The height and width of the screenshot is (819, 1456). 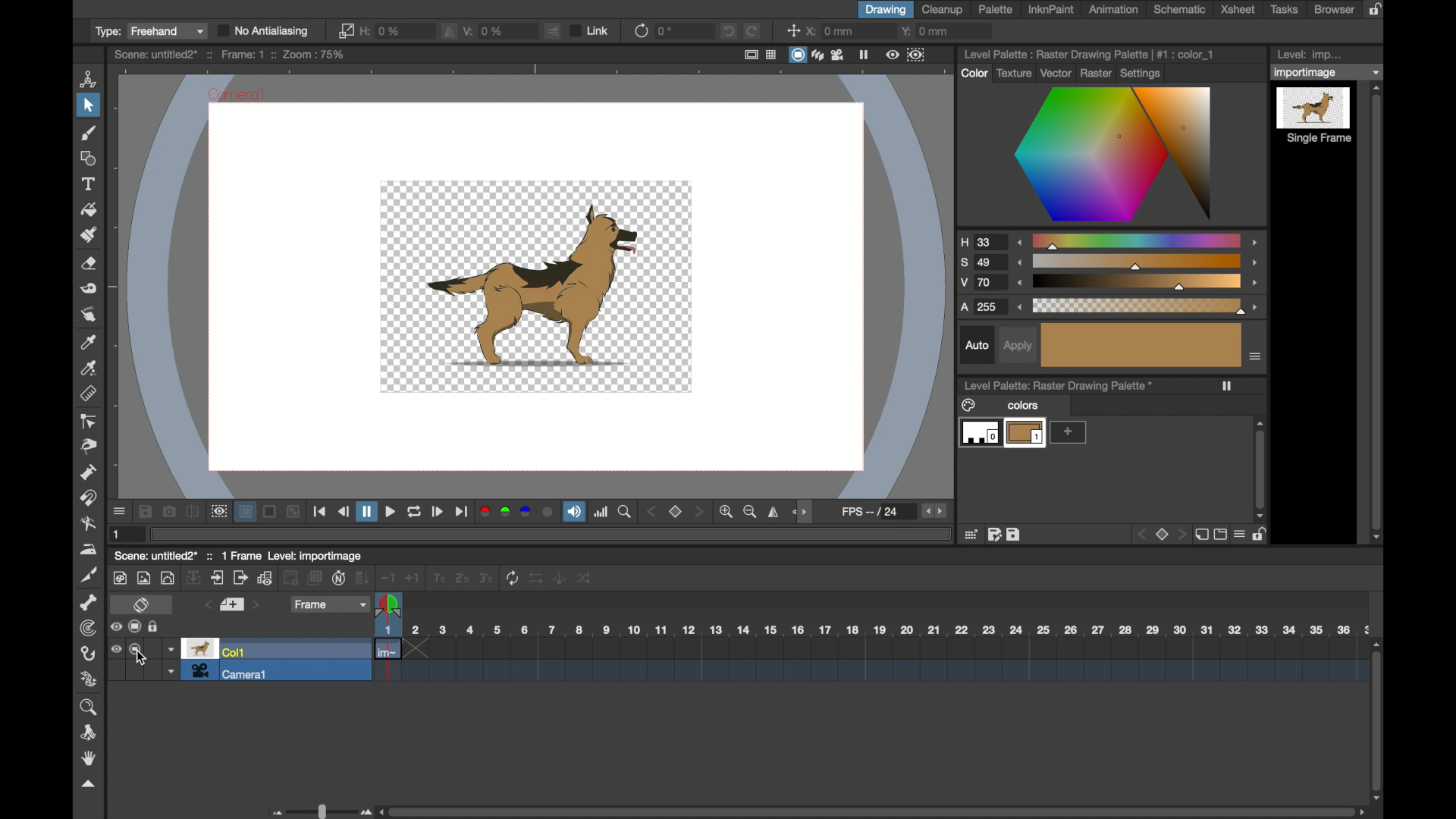 I want to click on paint brush tool, so click(x=90, y=133).